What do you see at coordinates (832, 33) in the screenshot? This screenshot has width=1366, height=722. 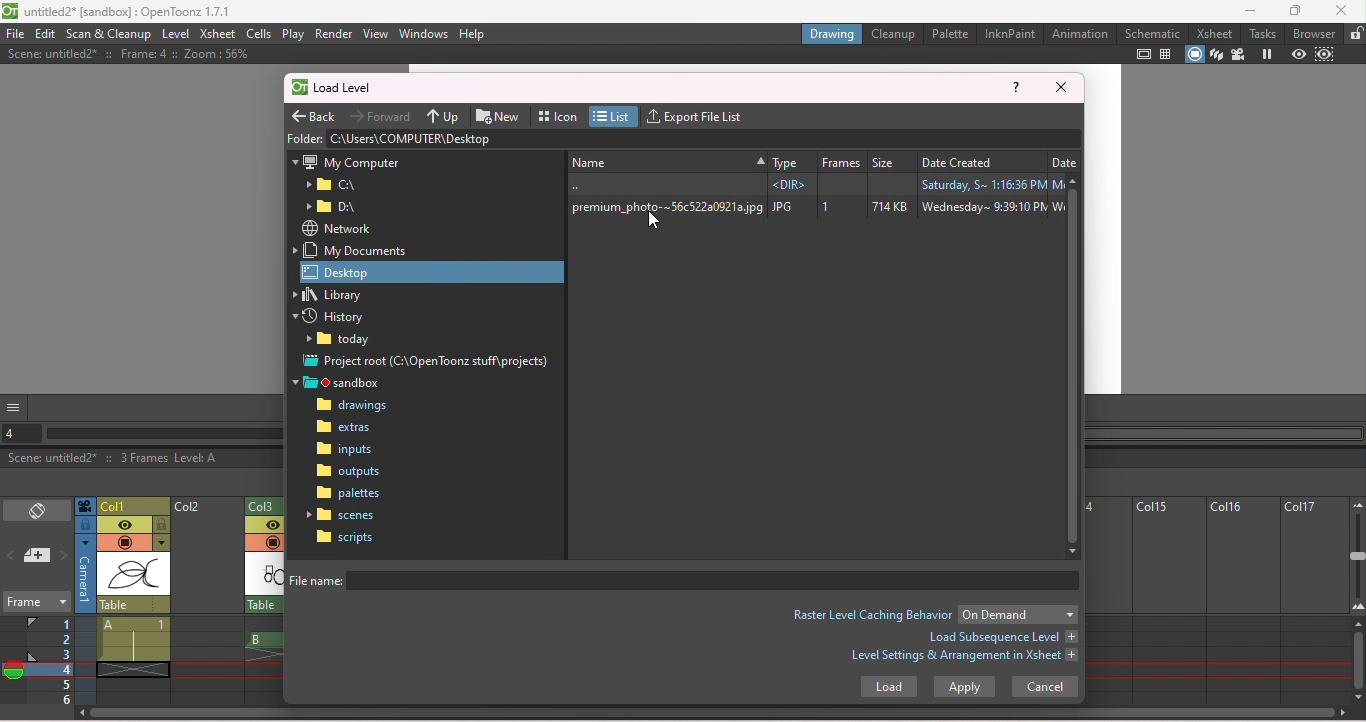 I see `Drawing` at bounding box center [832, 33].